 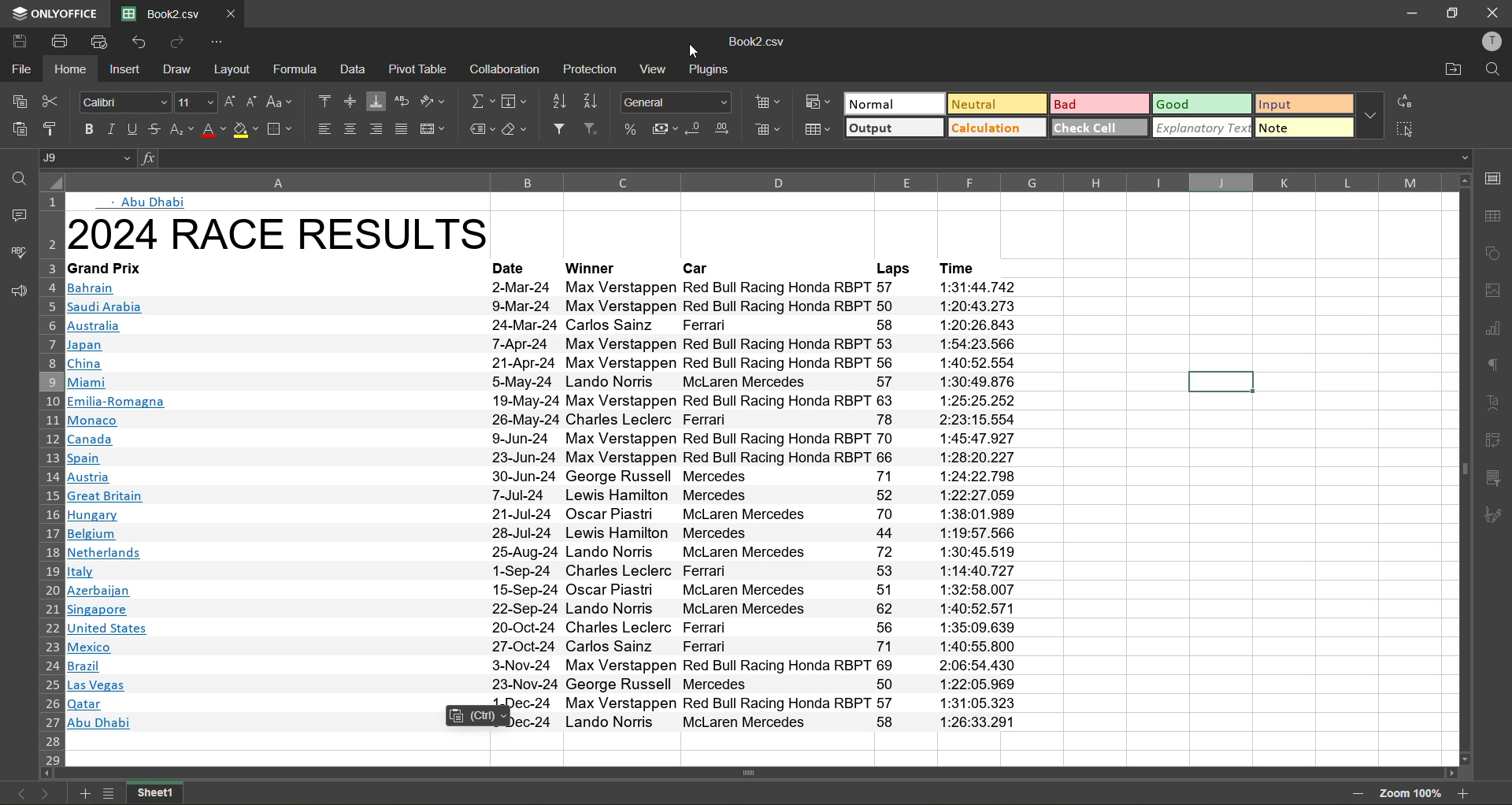 I want to click on quick print, so click(x=101, y=42).